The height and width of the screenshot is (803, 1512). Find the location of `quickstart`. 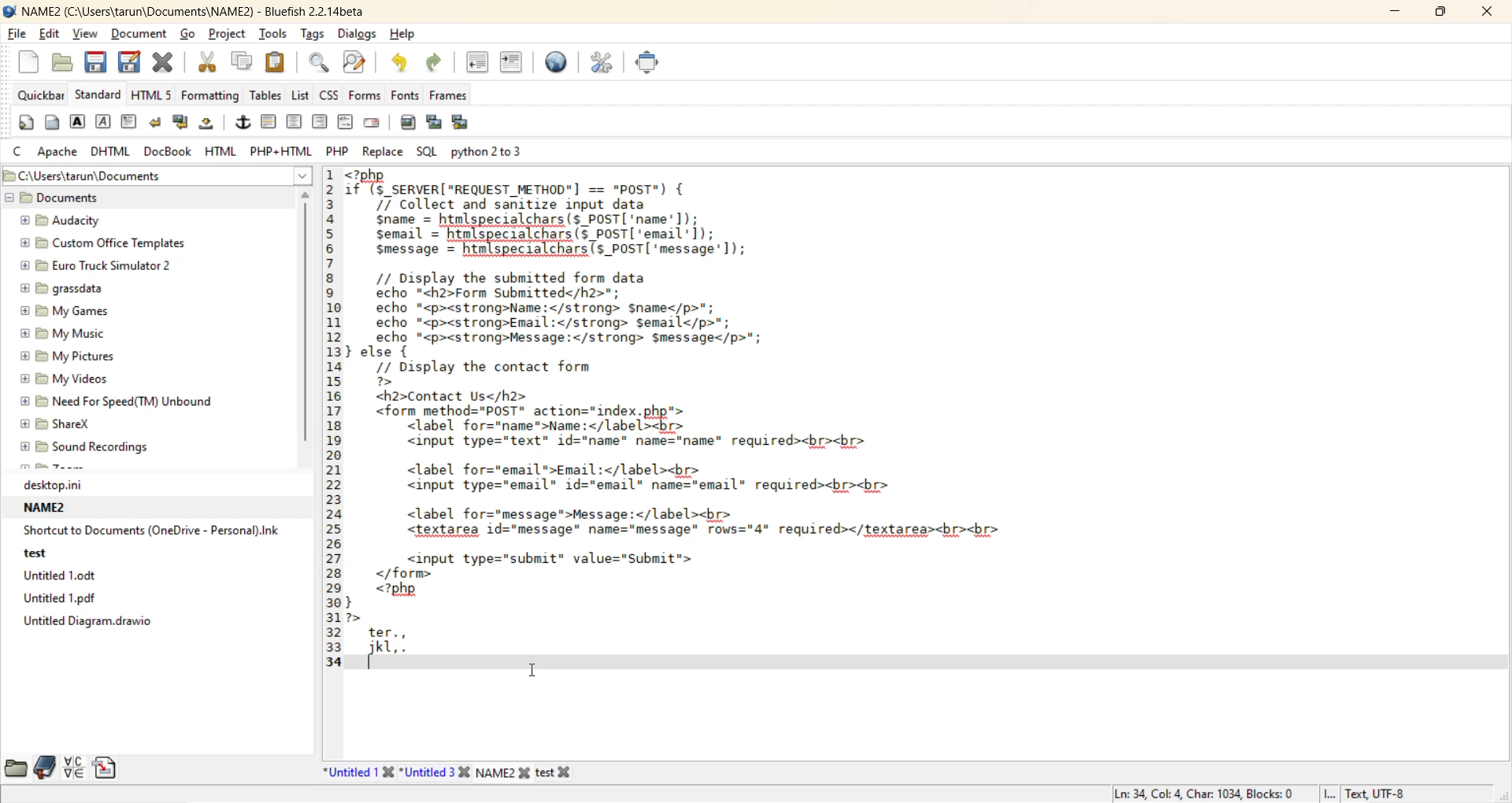

quickstart is located at coordinates (28, 124).